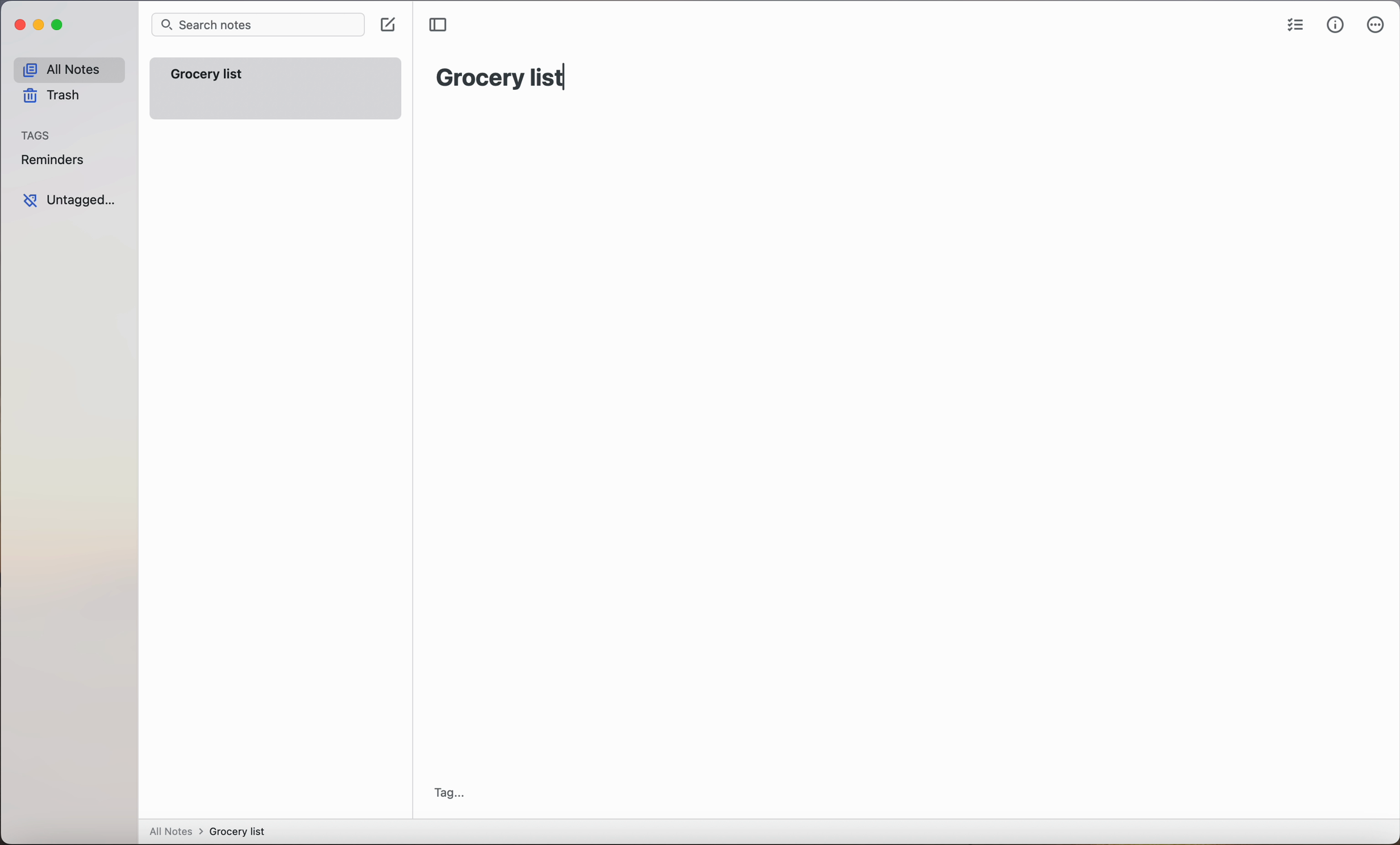  I want to click on close Simplenote, so click(19, 26).